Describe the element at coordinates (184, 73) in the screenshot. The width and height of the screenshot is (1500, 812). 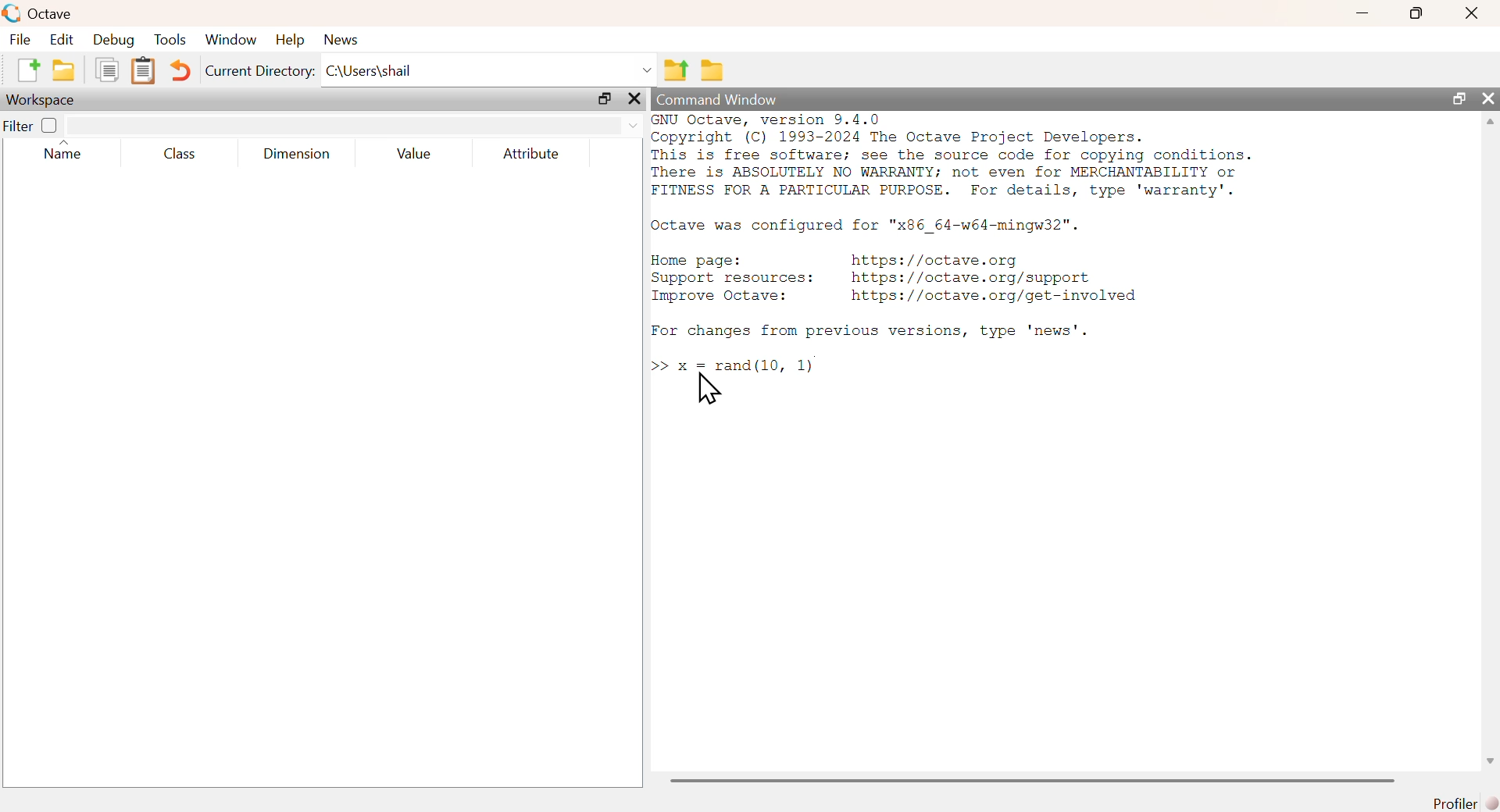
I see `undo` at that location.